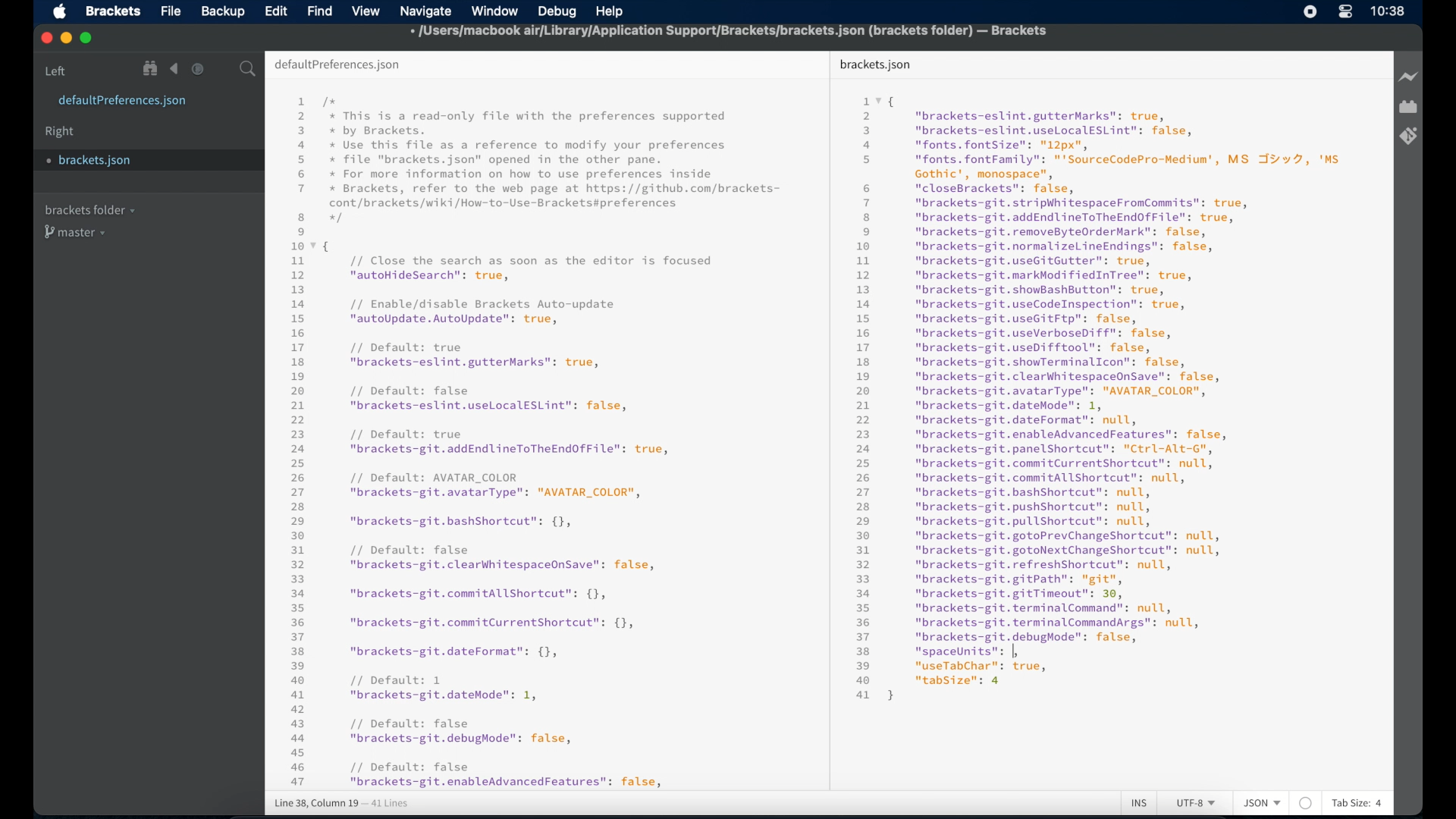 Image resolution: width=1456 pixels, height=819 pixels. What do you see at coordinates (1357, 802) in the screenshot?
I see `tab size: 4` at bounding box center [1357, 802].